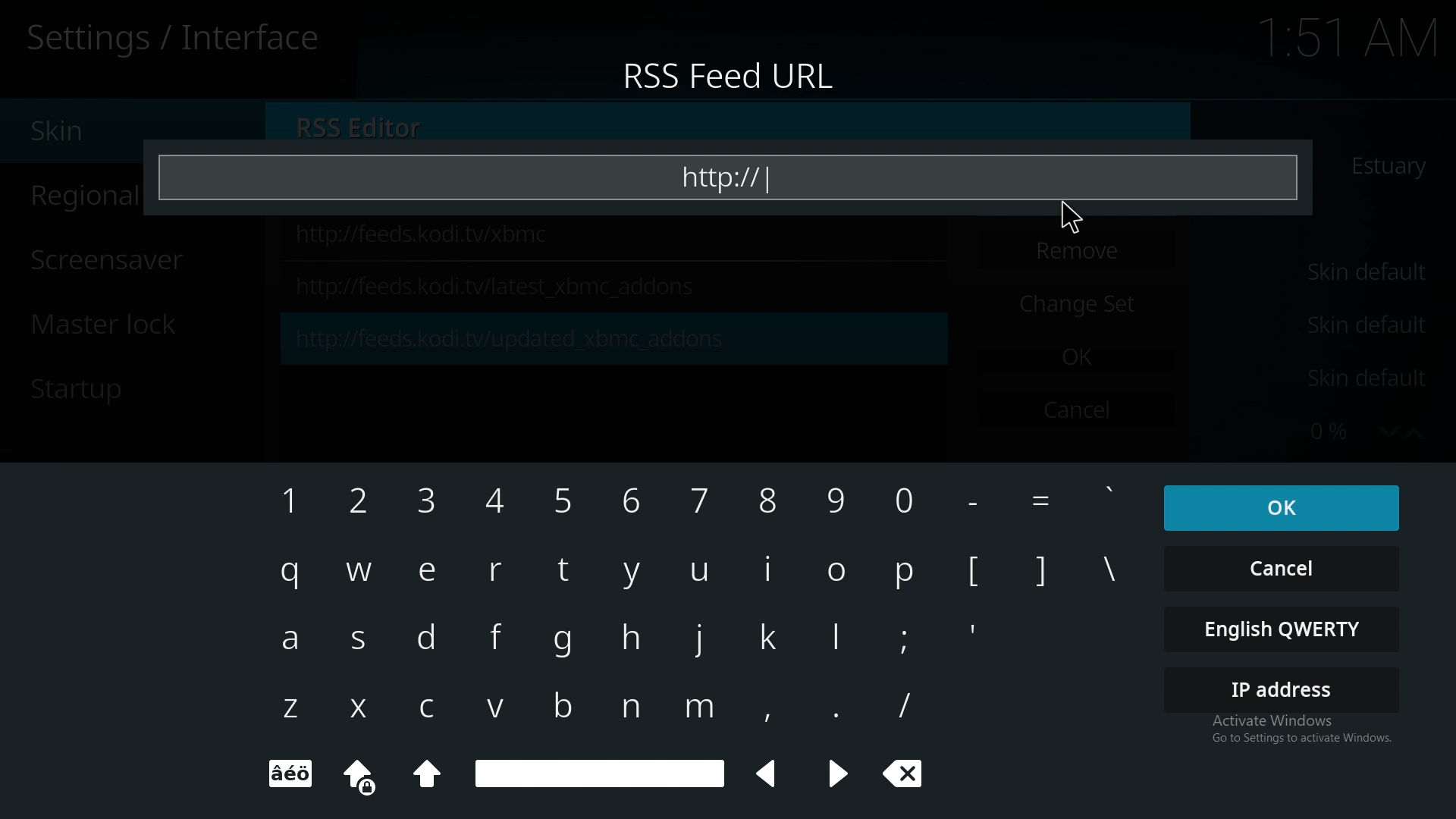 This screenshot has height=819, width=1456. Describe the element at coordinates (899, 704) in the screenshot. I see `/` at that location.